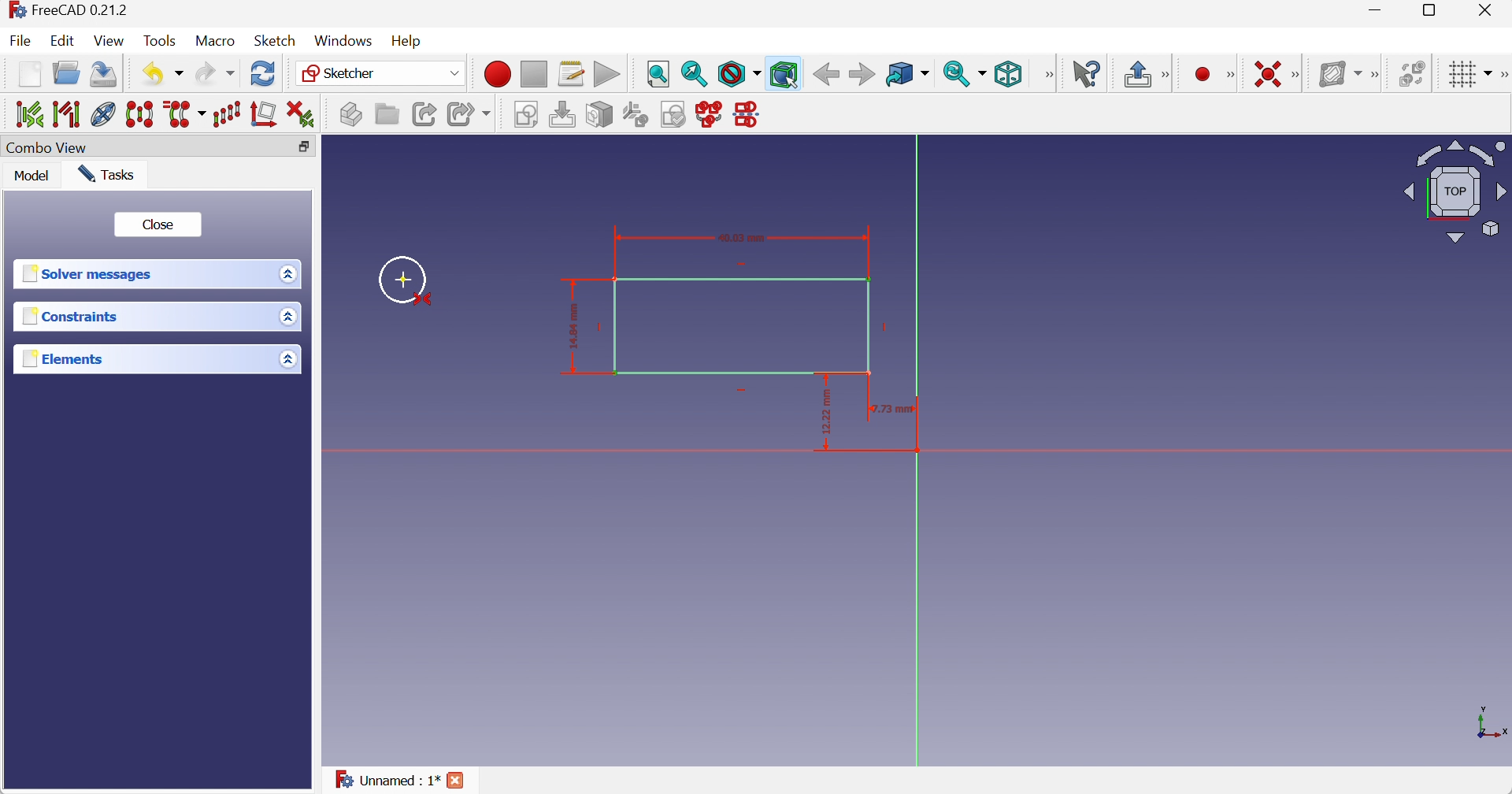  Describe the element at coordinates (187, 114) in the screenshot. I see `Clone` at that location.